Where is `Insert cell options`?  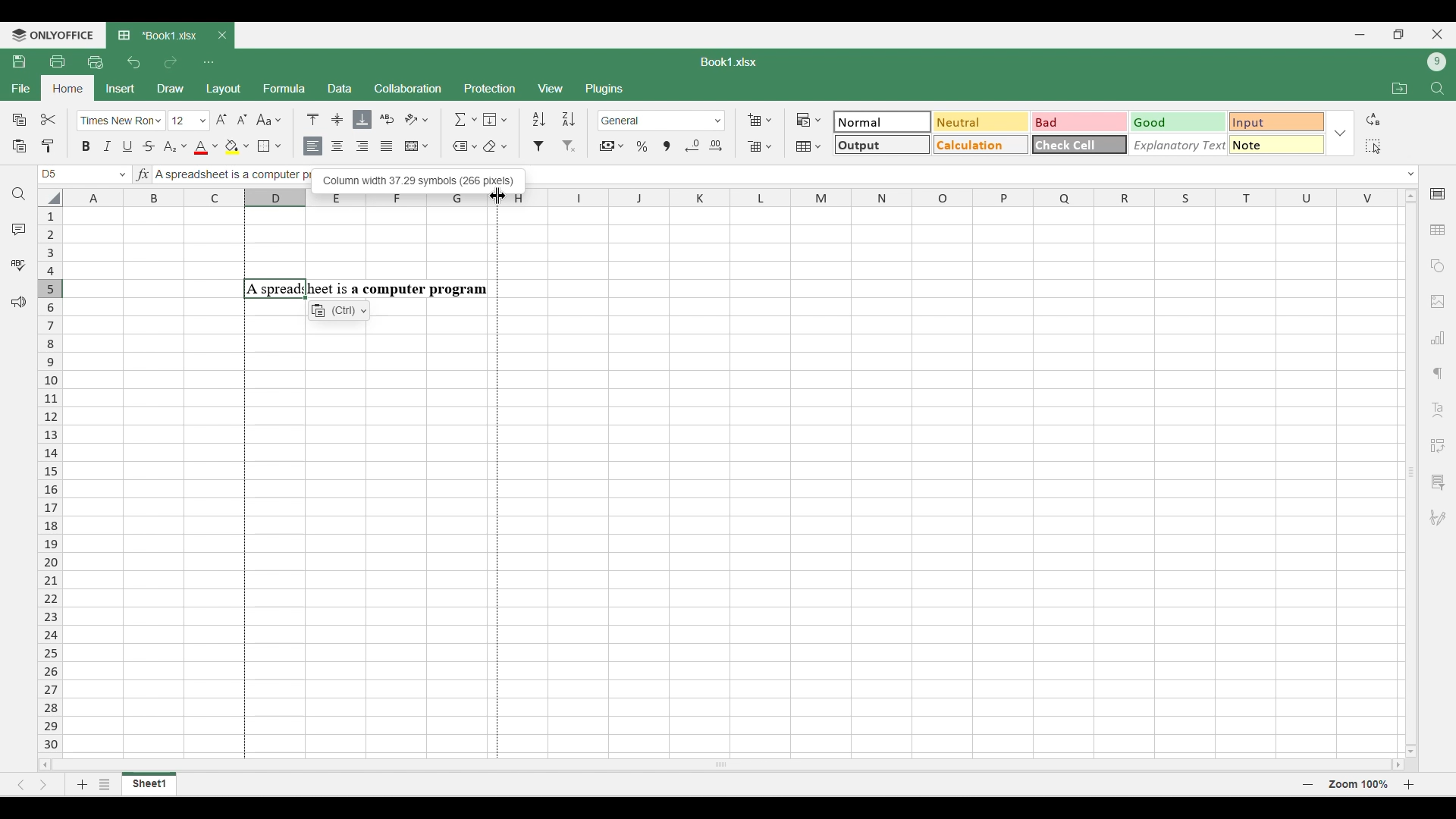
Insert cell options is located at coordinates (759, 120).